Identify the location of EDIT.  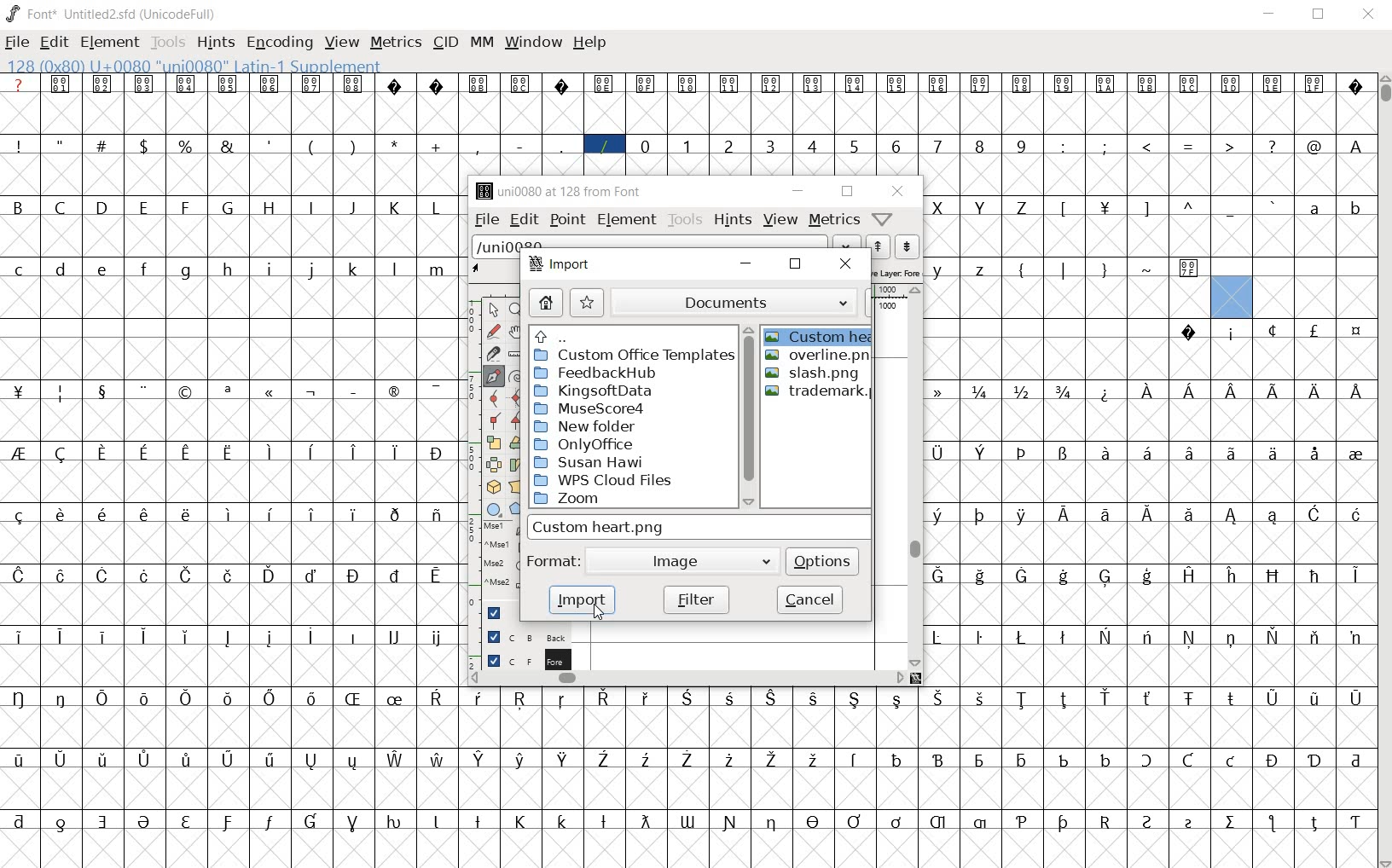
(57, 40).